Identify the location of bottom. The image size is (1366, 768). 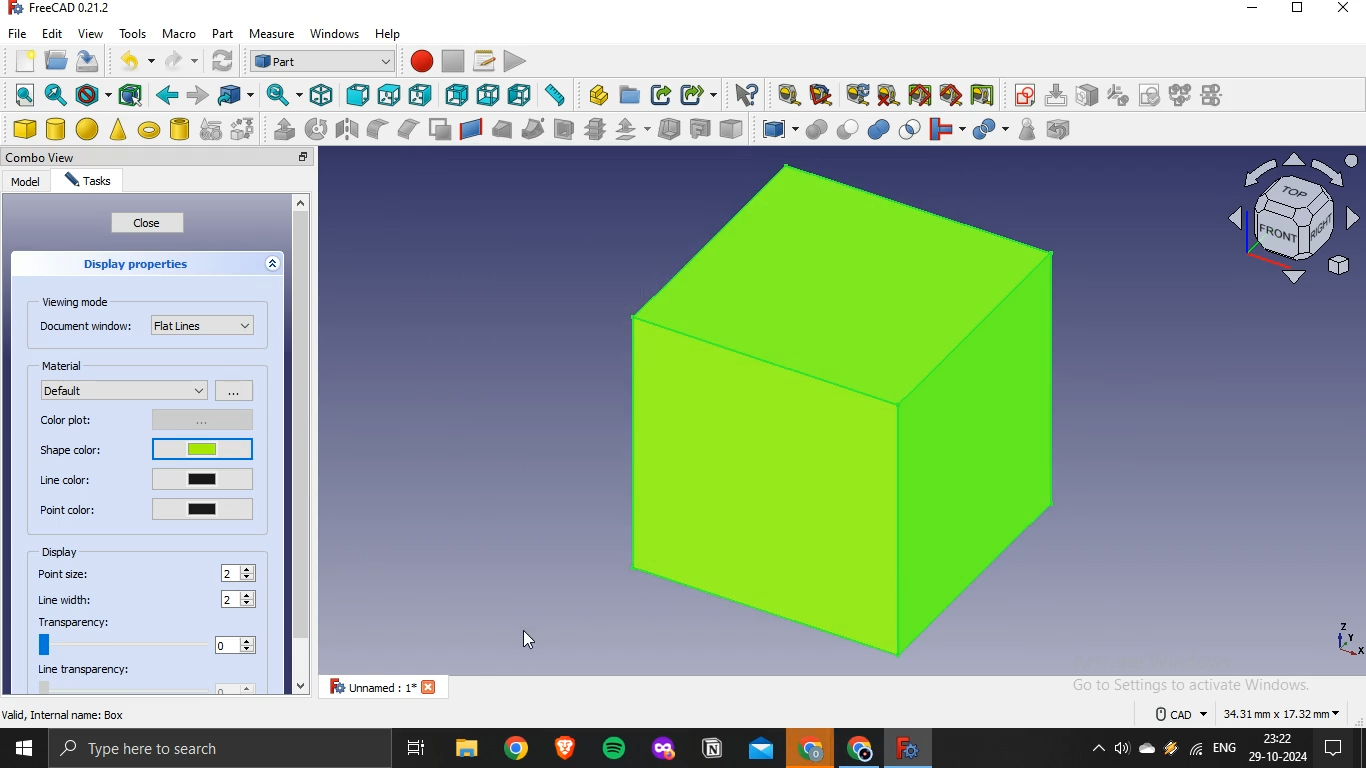
(489, 95).